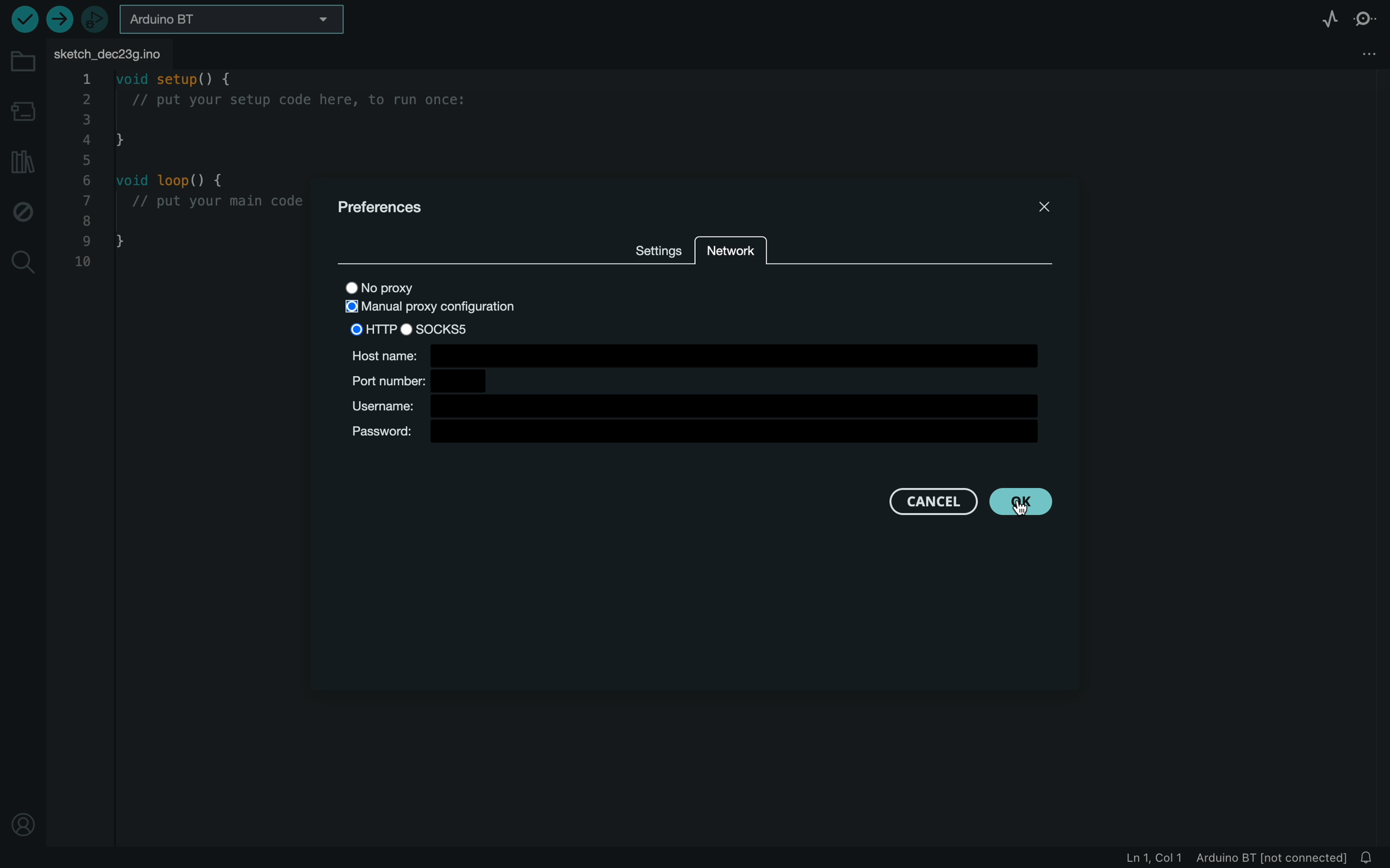 This screenshot has height=868, width=1390. I want to click on password, so click(693, 433).